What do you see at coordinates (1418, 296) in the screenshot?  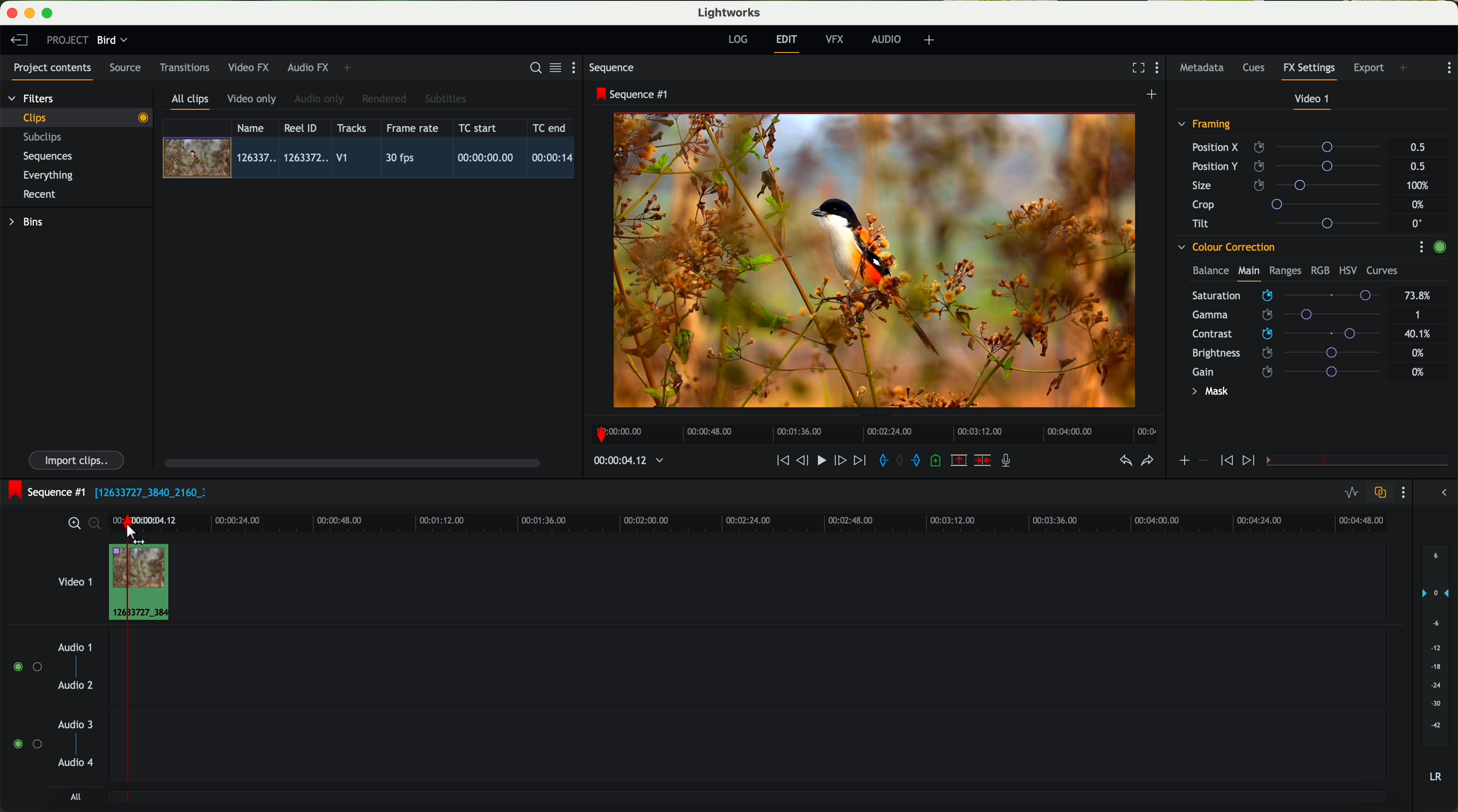 I see `73.8%` at bounding box center [1418, 296].